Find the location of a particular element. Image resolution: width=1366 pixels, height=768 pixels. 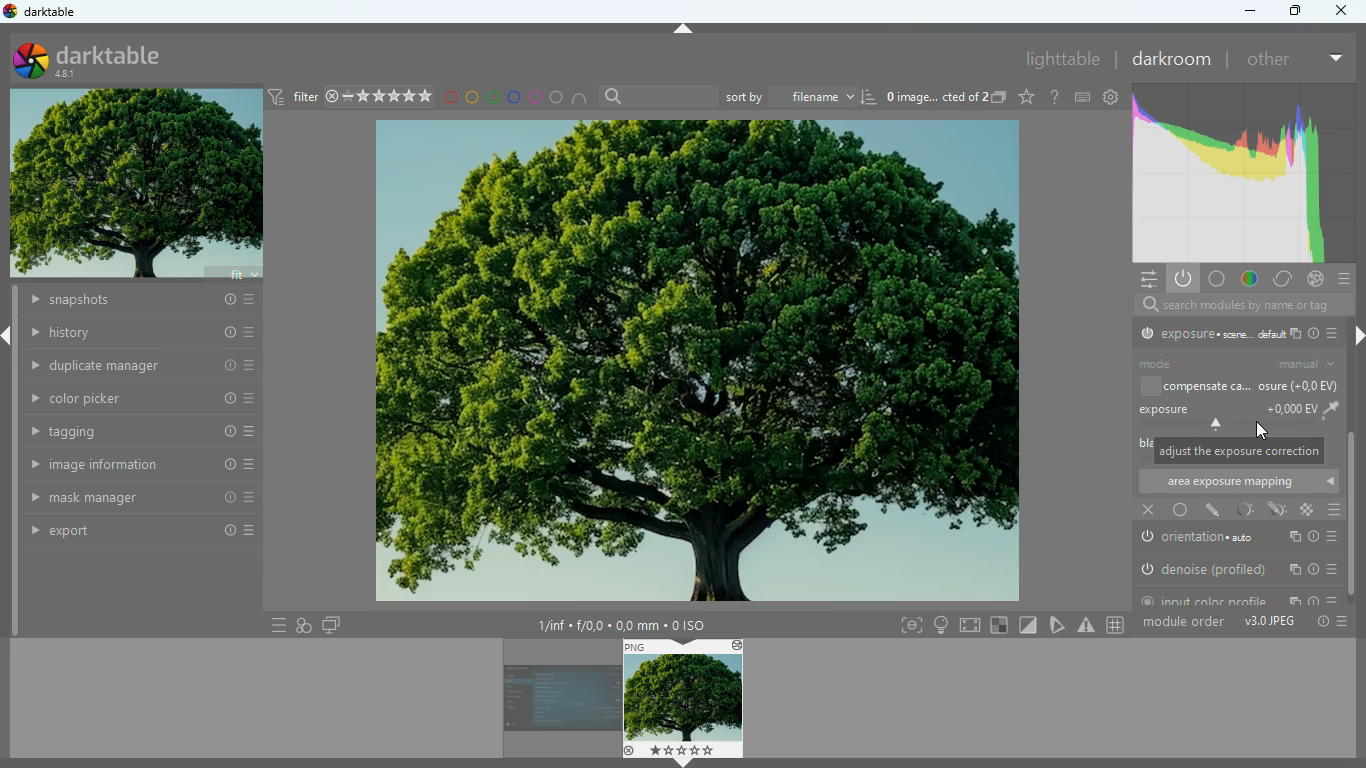

menu is located at coordinates (269, 625).